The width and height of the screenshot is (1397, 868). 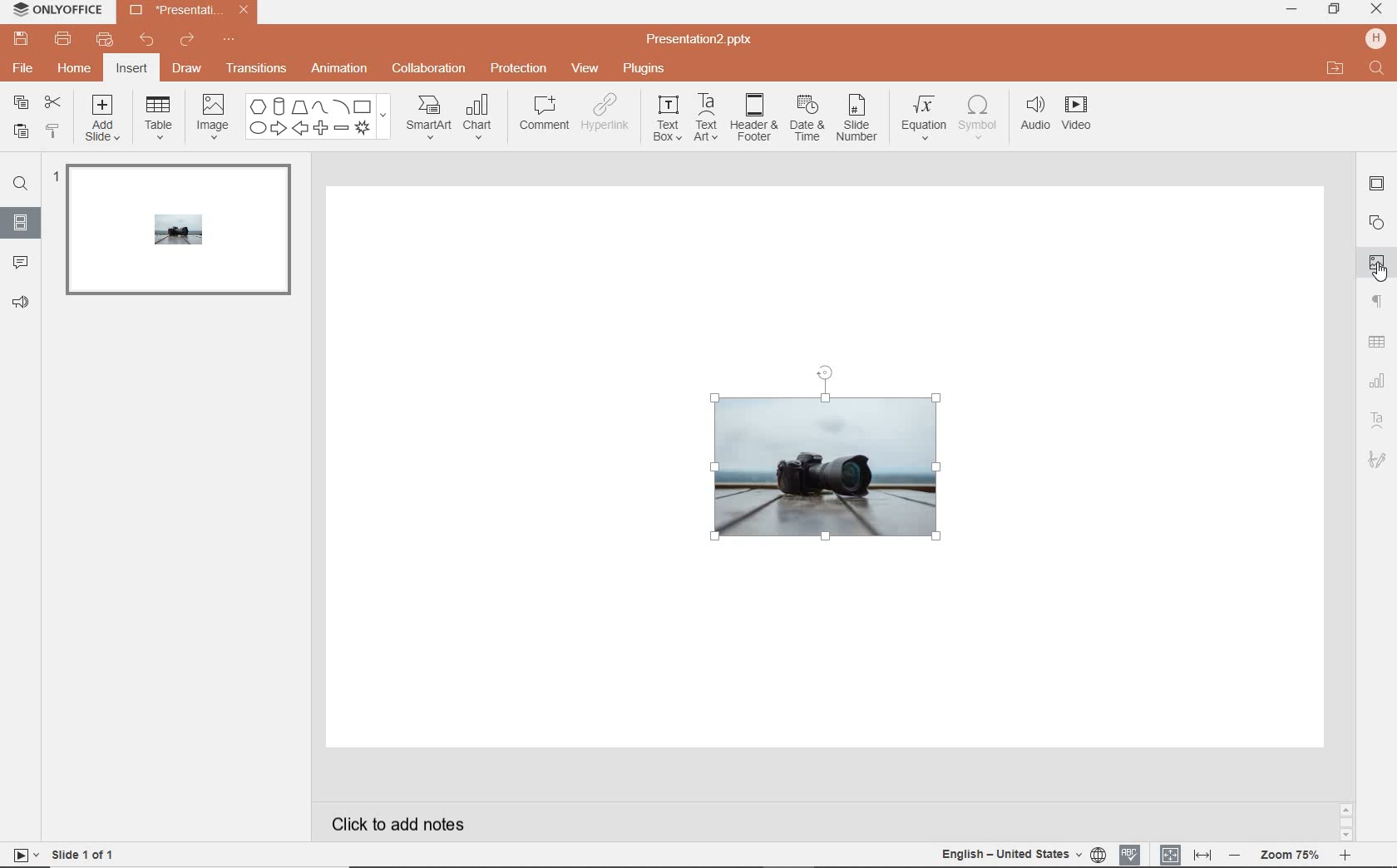 What do you see at coordinates (706, 120) in the screenshot?
I see `text art` at bounding box center [706, 120].